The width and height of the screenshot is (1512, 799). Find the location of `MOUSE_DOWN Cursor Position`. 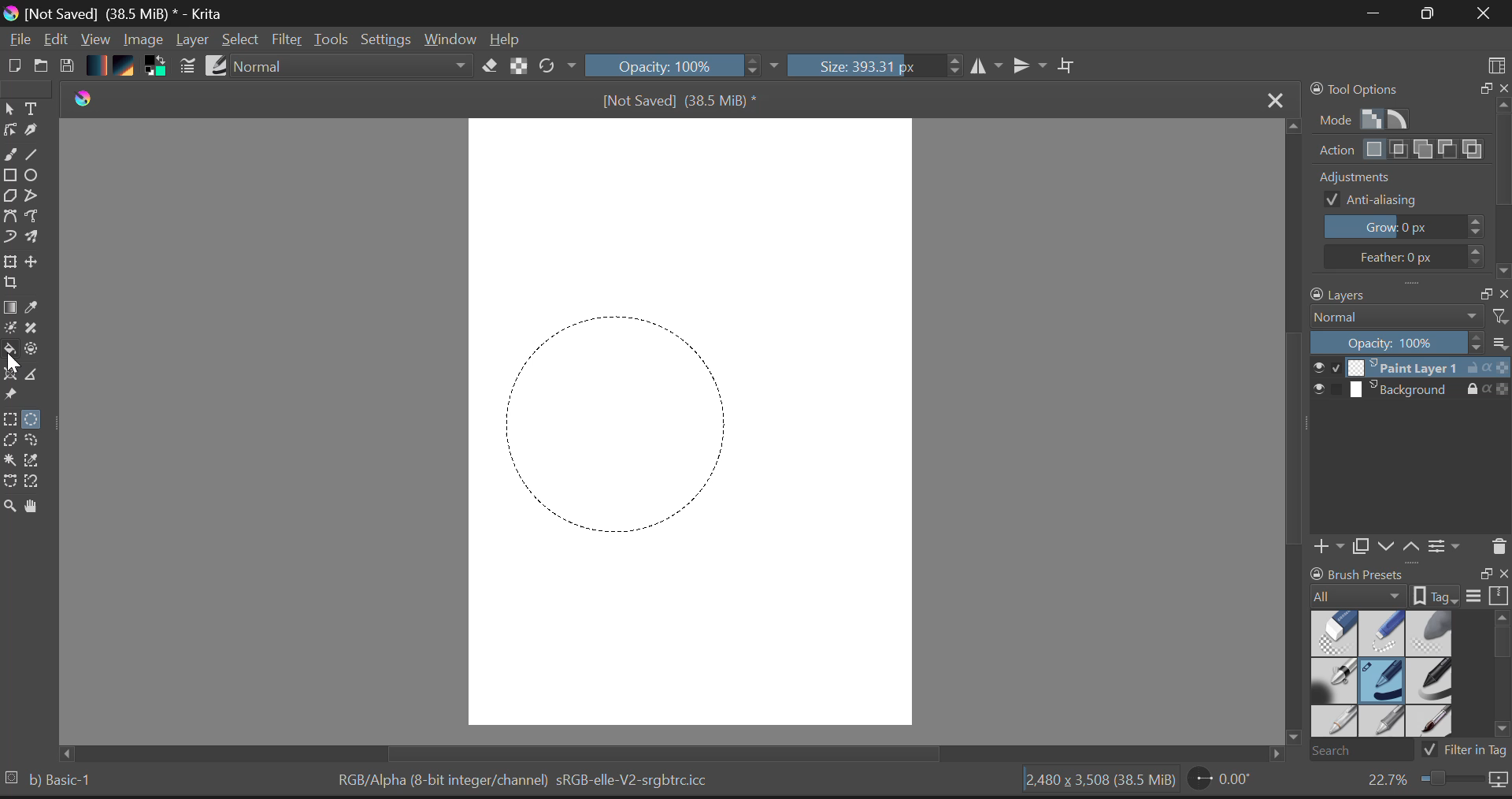

MOUSE_DOWN Cursor Position is located at coordinates (516, 329).